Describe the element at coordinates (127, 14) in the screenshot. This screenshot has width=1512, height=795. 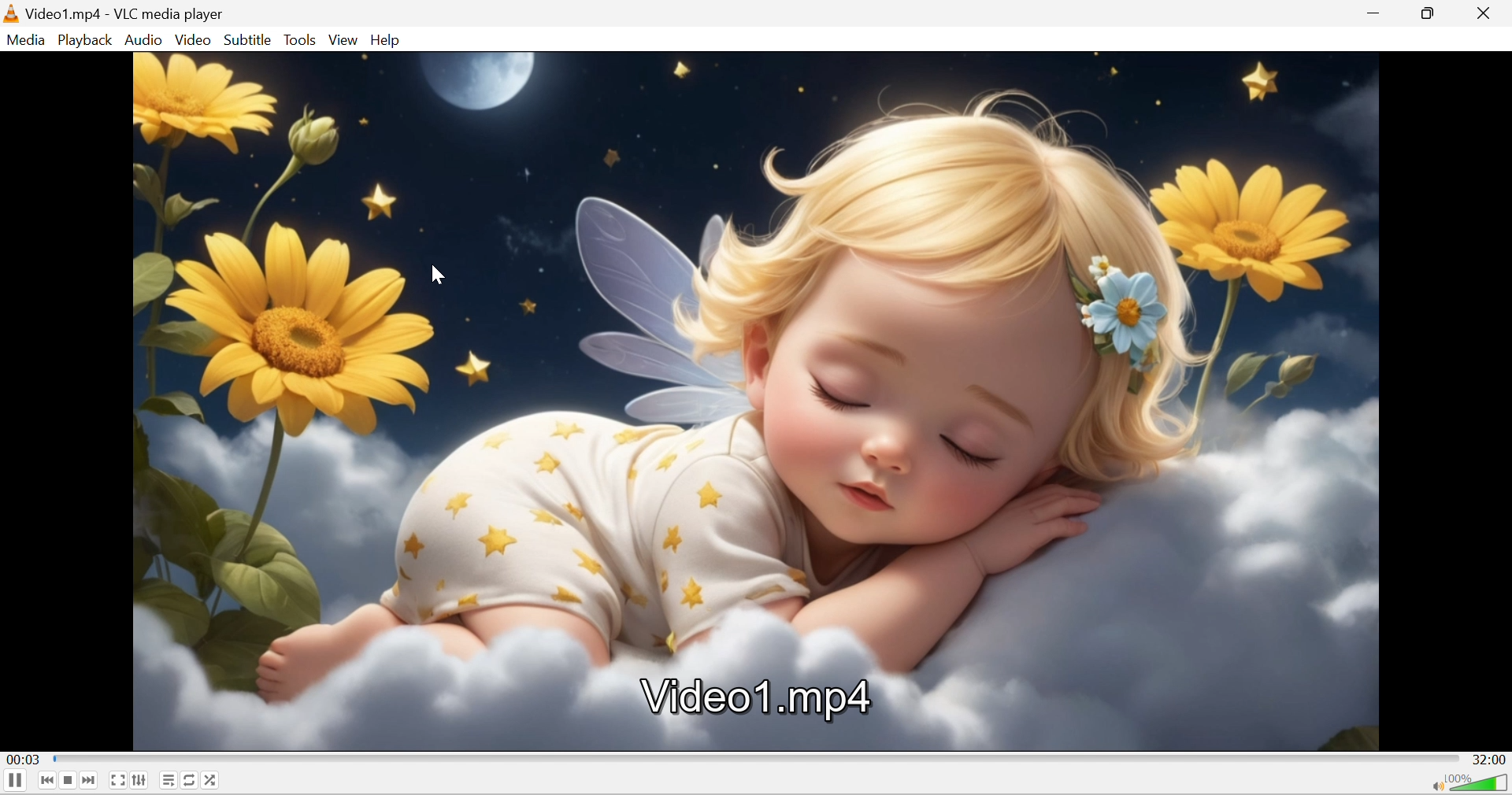
I see `Video1.mp4 - VLC Media player` at that location.